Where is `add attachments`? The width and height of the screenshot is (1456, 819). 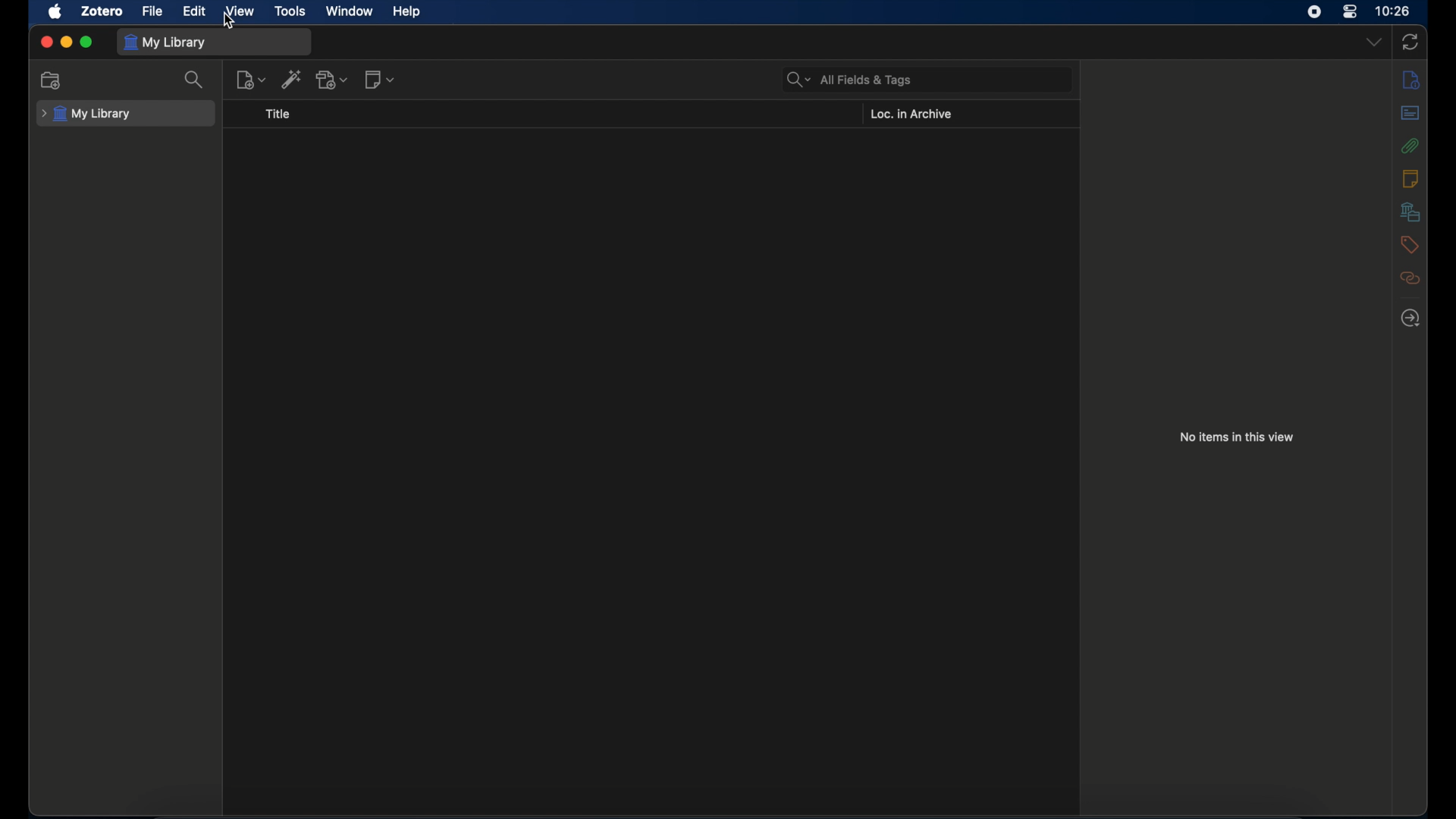 add attachments is located at coordinates (332, 79).